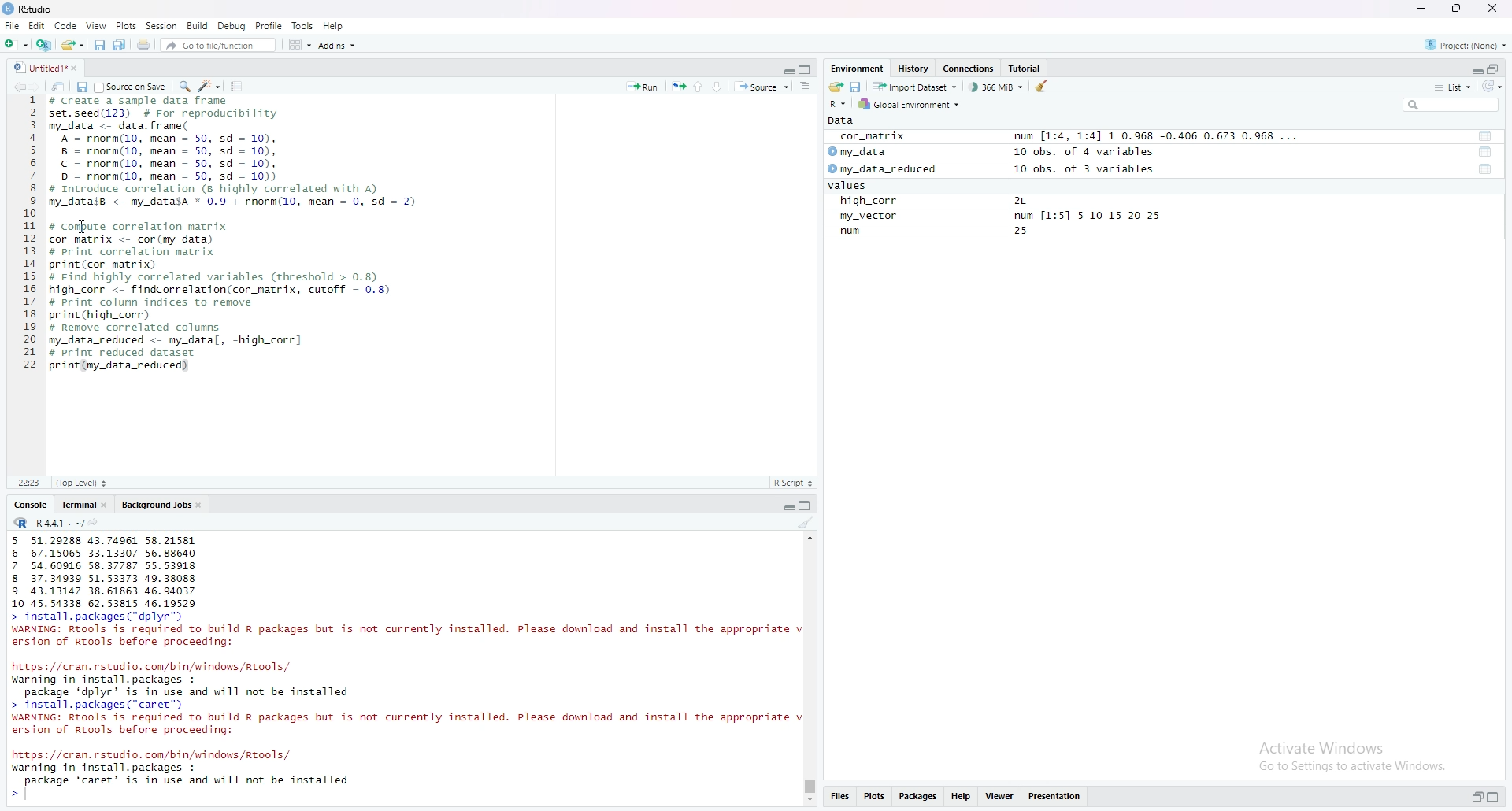  What do you see at coordinates (39, 68) in the screenshot?
I see `Untitled1*` at bounding box center [39, 68].